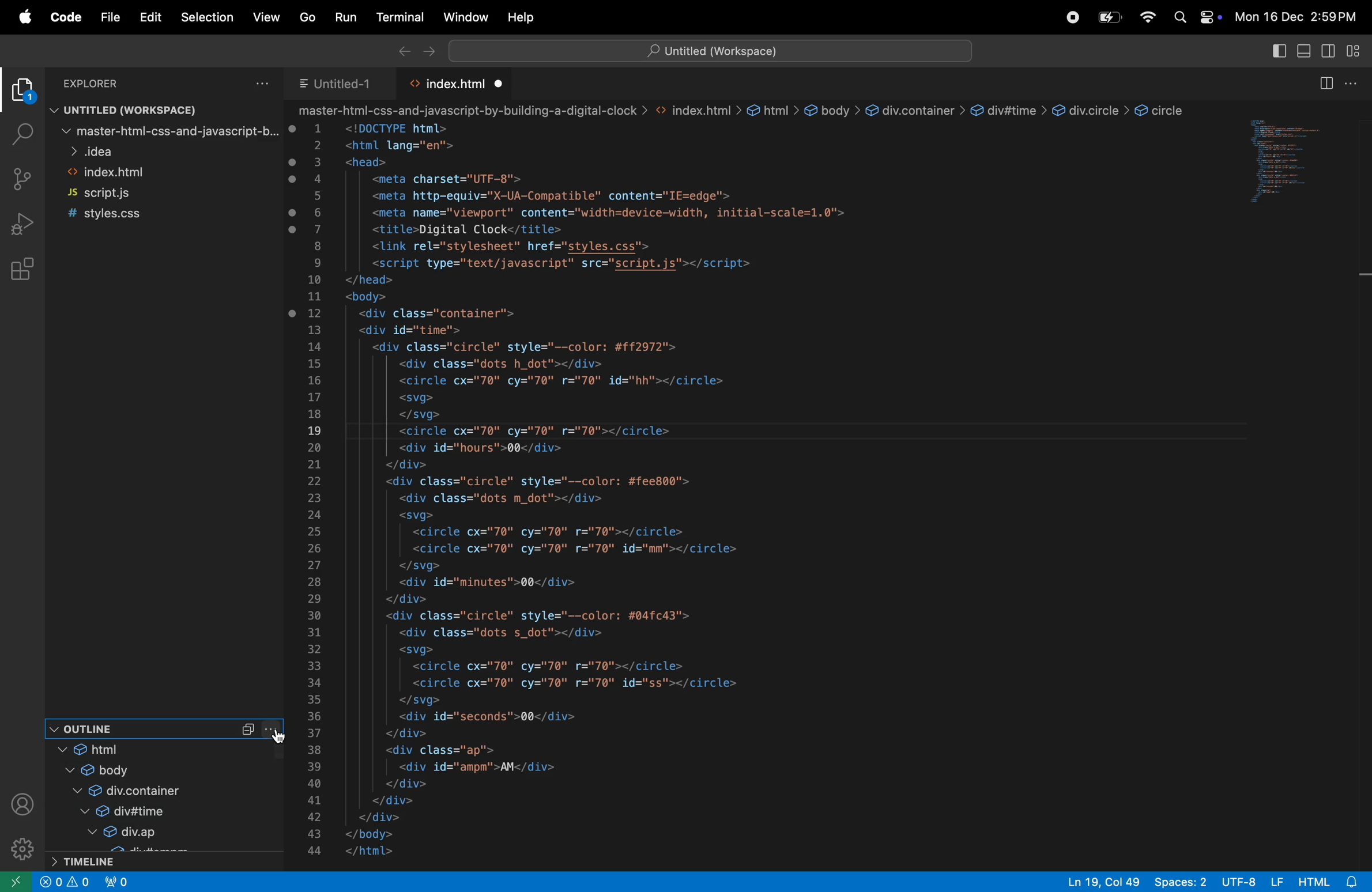 Image resolution: width=1372 pixels, height=892 pixels. Describe the element at coordinates (1328, 882) in the screenshot. I see `html alert` at that location.